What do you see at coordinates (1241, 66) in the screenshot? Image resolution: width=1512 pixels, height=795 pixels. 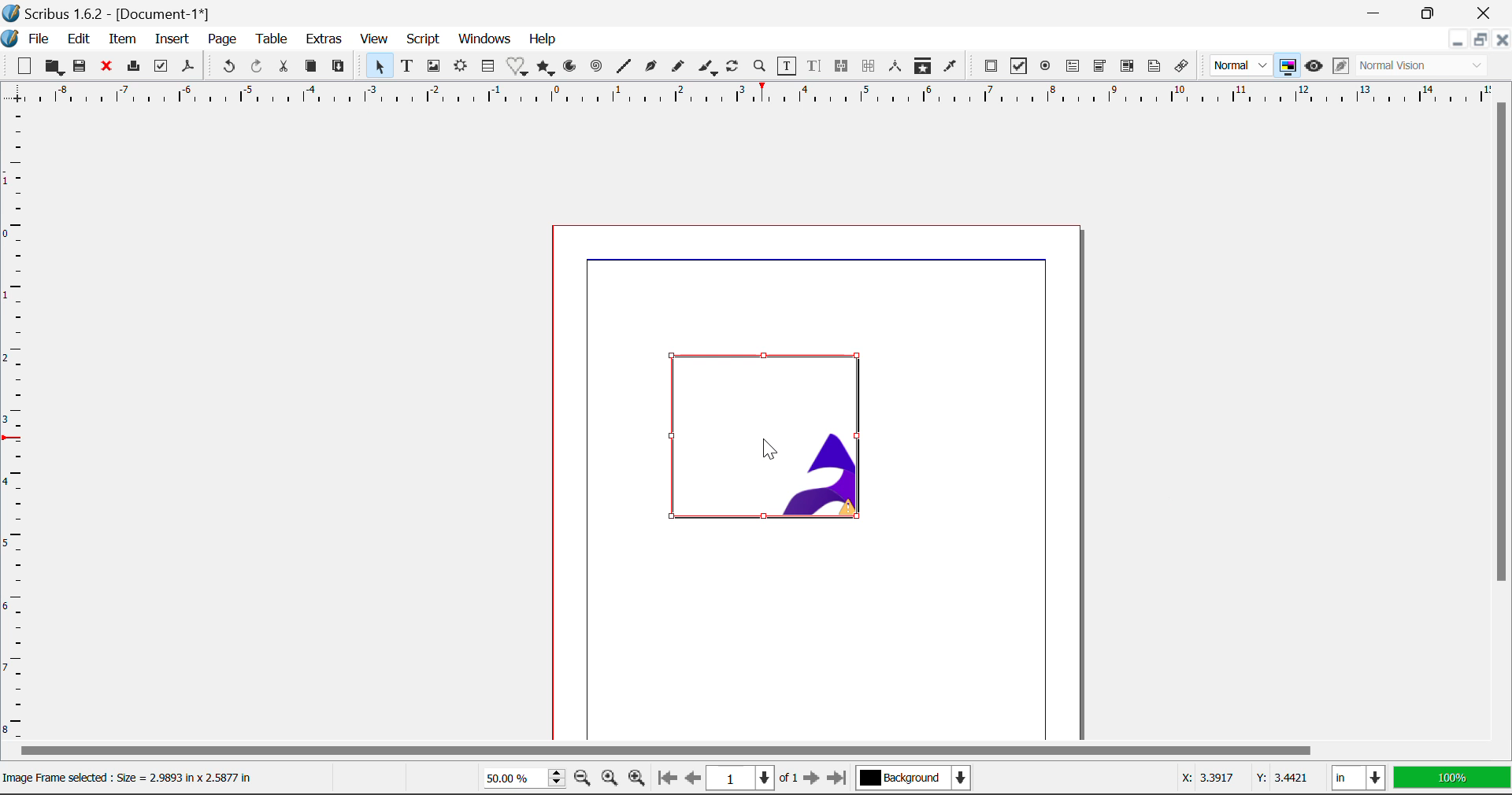 I see `Image Preview Quality` at bounding box center [1241, 66].